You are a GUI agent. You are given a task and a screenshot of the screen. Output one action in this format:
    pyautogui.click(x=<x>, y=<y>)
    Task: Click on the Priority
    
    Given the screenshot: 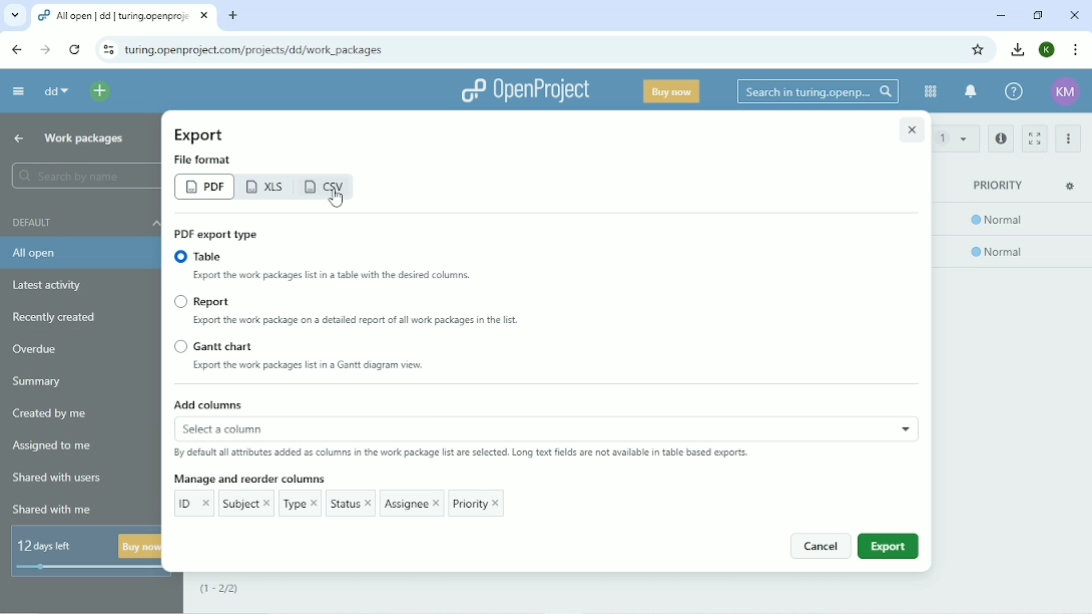 What is the action you would take?
    pyautogui.click(x=477, y=504)
    